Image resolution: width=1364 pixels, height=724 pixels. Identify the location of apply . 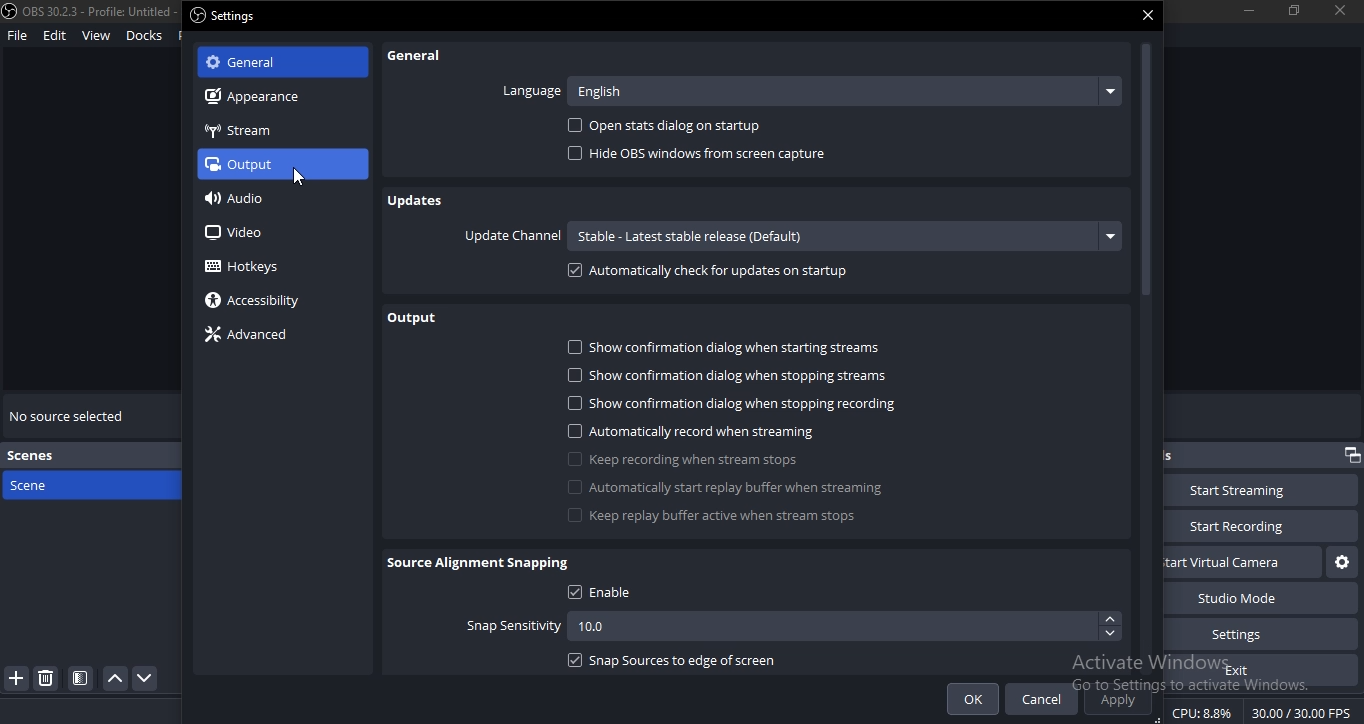
(1116, 701).